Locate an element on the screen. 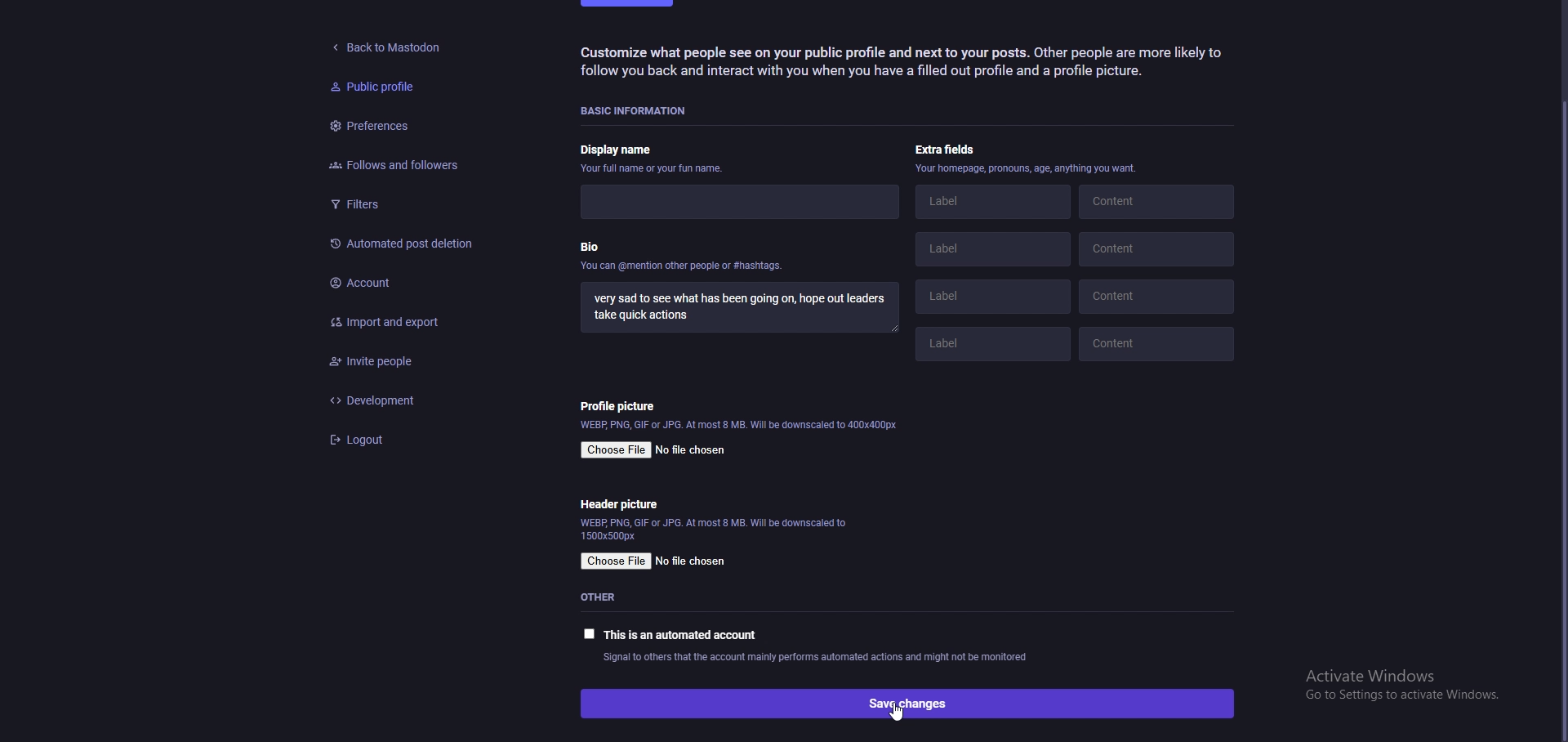 The height and width of the screenshot is (742, 1568). development is located at coordinates (412, 400).